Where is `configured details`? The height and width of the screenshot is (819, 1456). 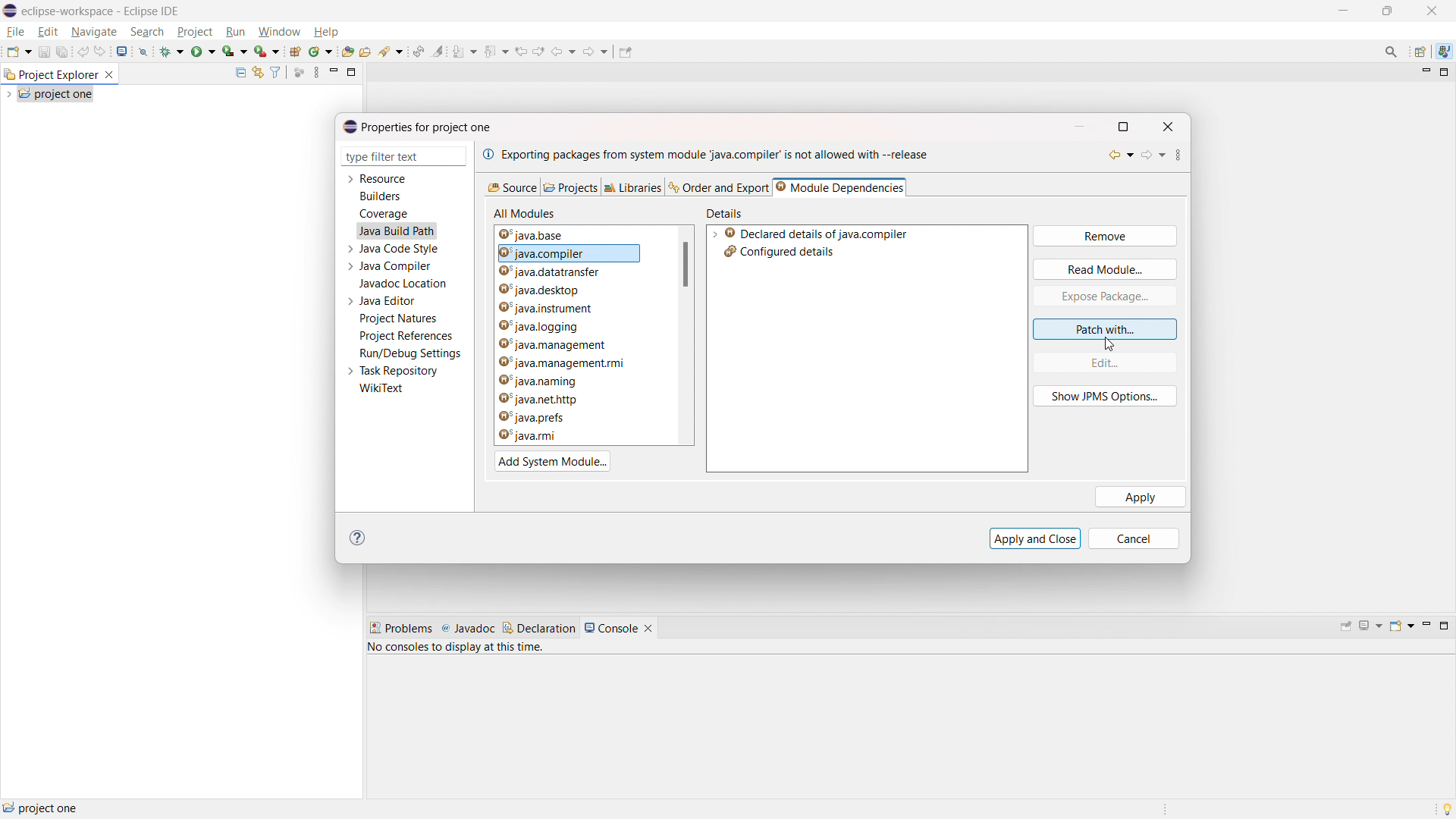 configured details is located at coordinates (780, 251).